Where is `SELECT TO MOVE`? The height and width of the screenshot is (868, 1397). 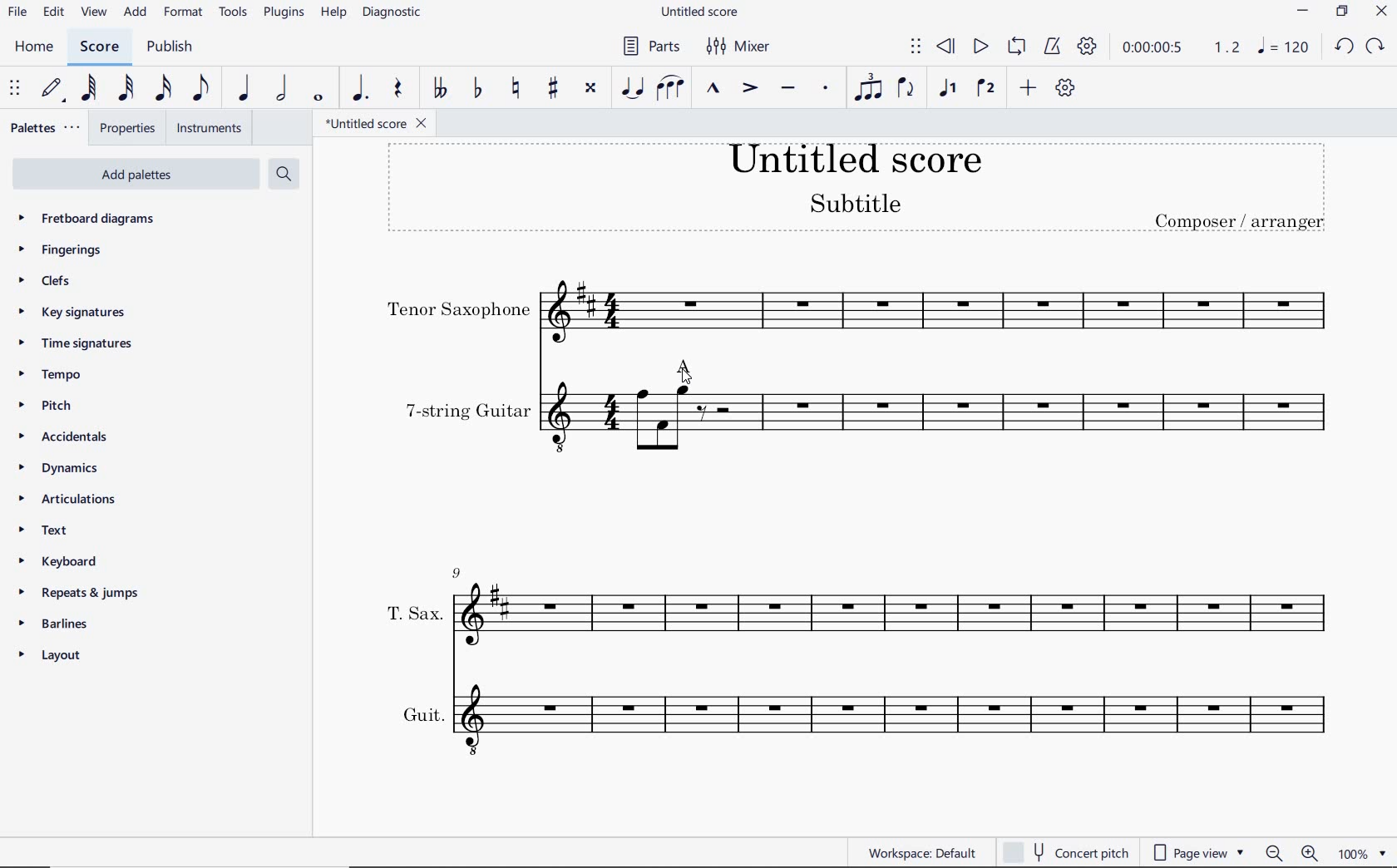 SELECT TO MOVE is located at coordinates (916, 47).